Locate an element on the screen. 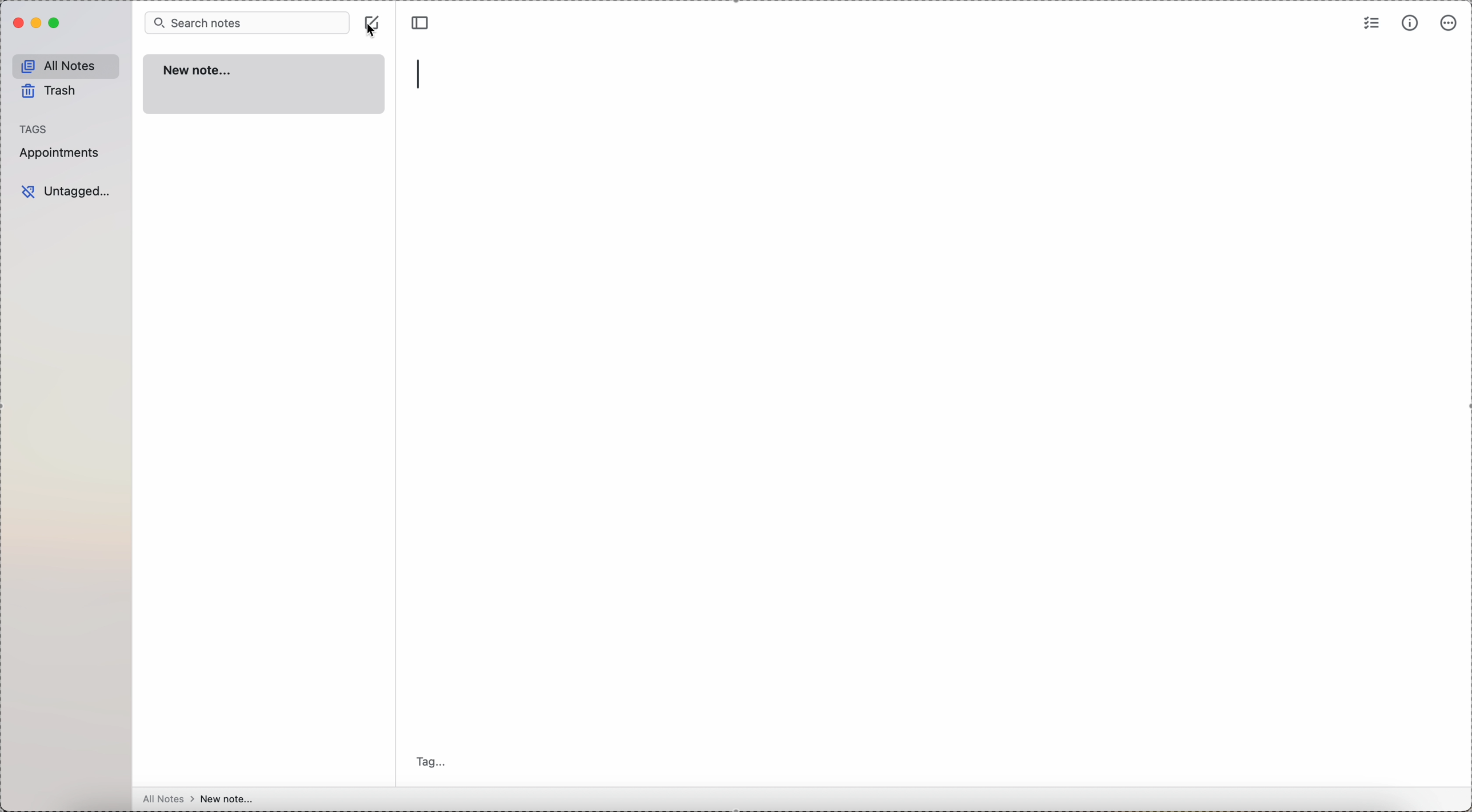 The image size is (1472, 812). minimize Simplenote is located at coordinates (38, 23).